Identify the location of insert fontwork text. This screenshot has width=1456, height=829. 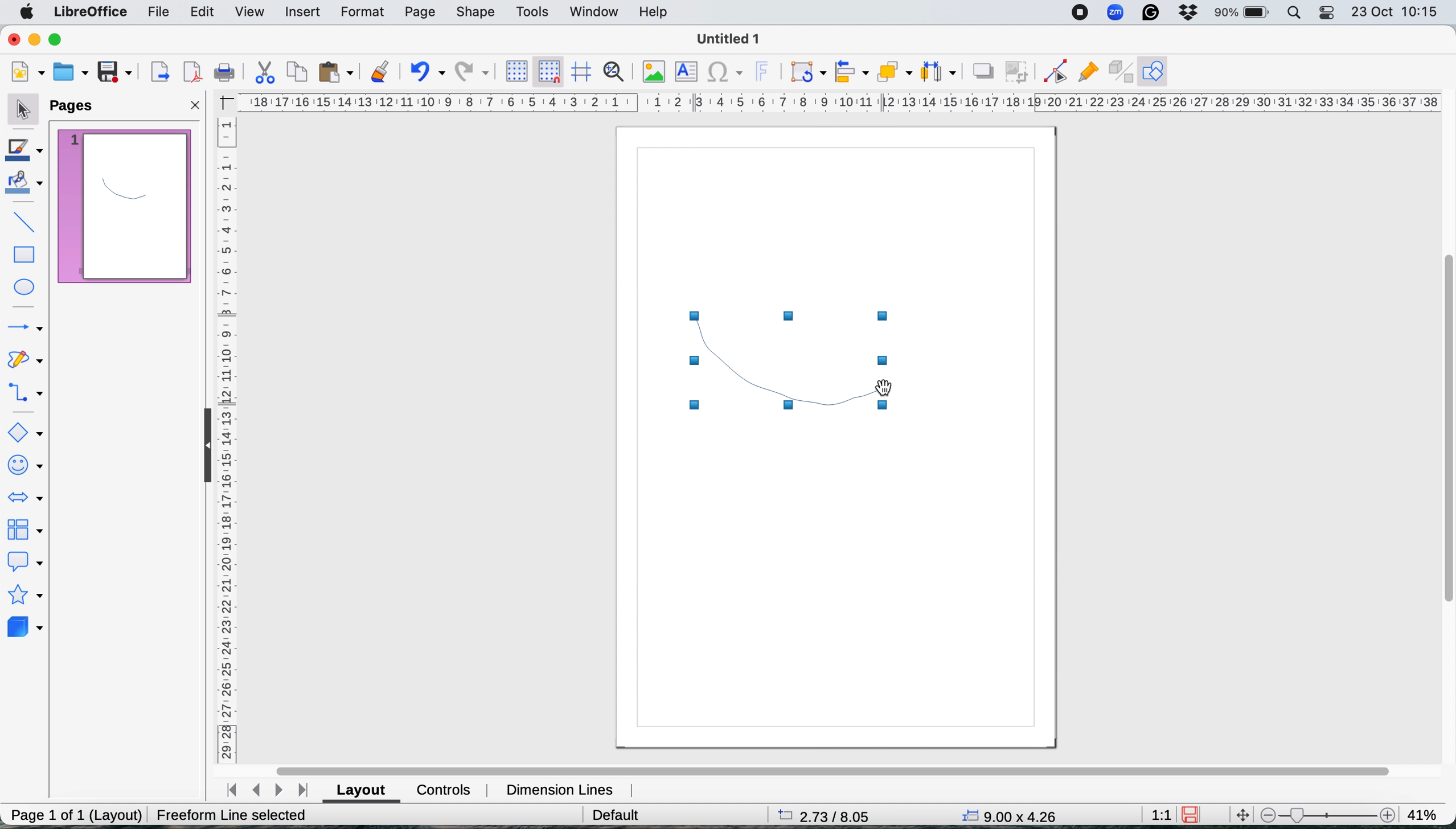
(766, 72).